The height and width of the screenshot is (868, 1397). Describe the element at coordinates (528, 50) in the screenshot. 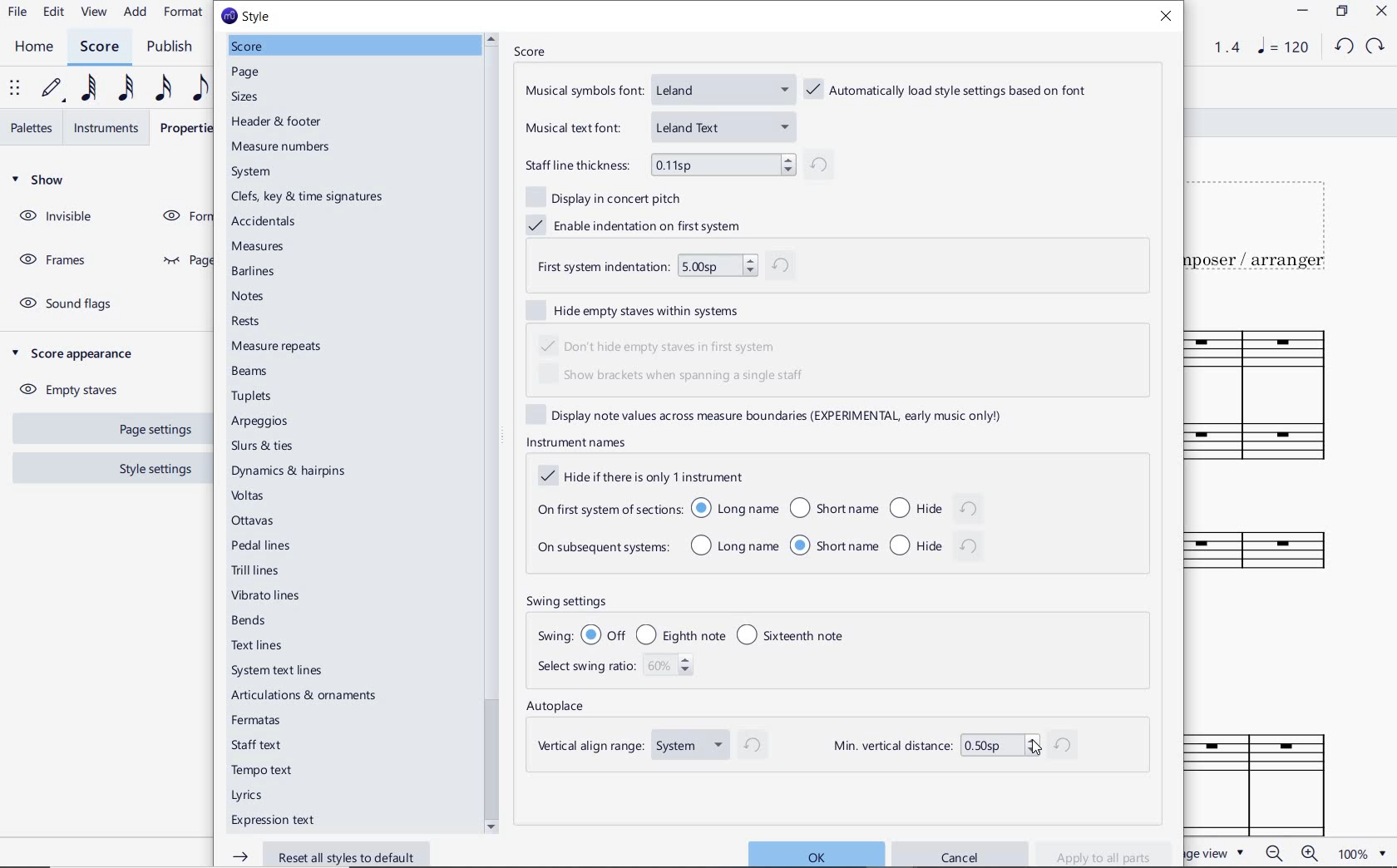

I see `SCORE` at that location.